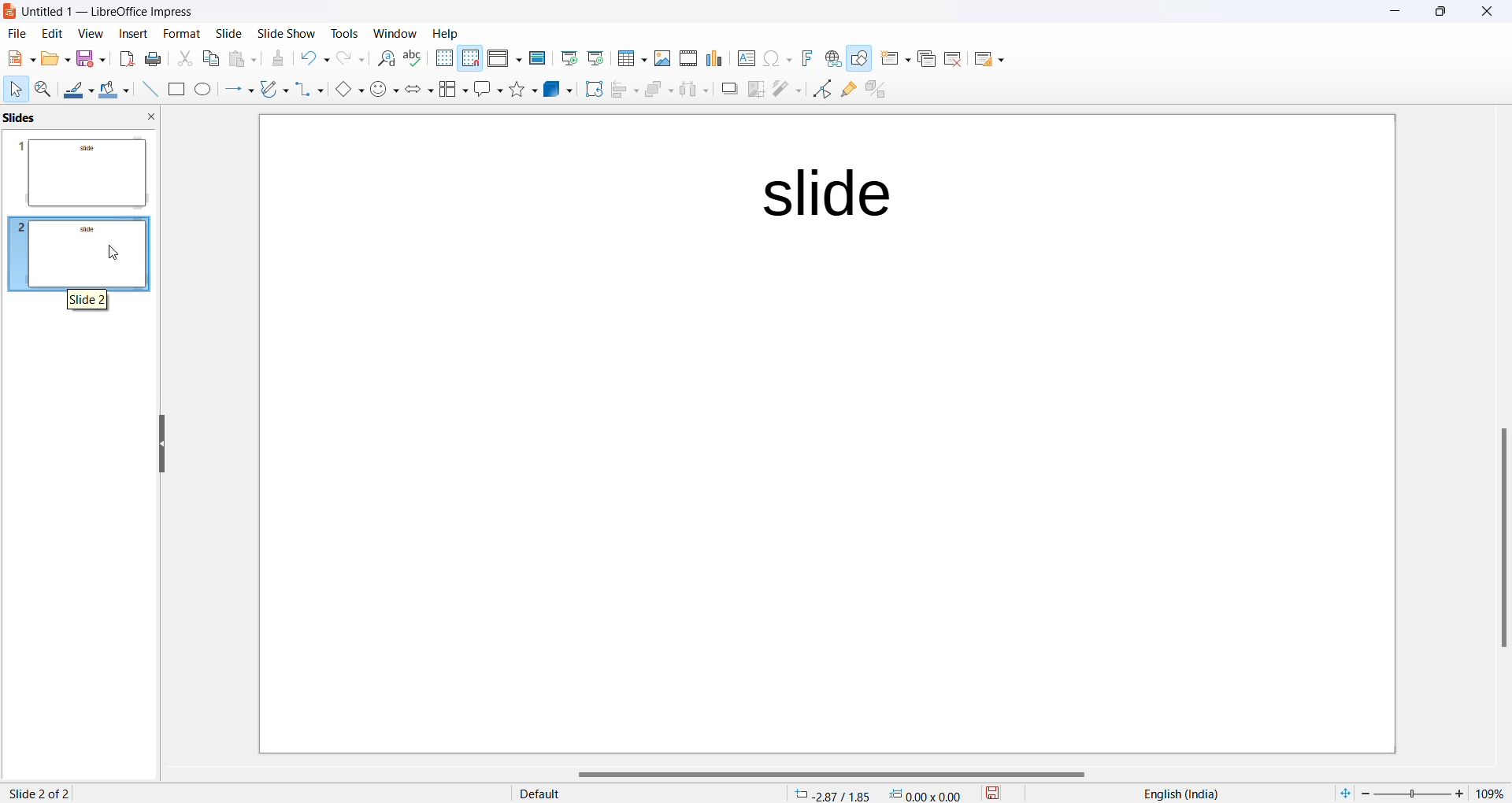  Describe the element at coordinates (451, 90) in the screenshot. I see `Flow chart` at that location.